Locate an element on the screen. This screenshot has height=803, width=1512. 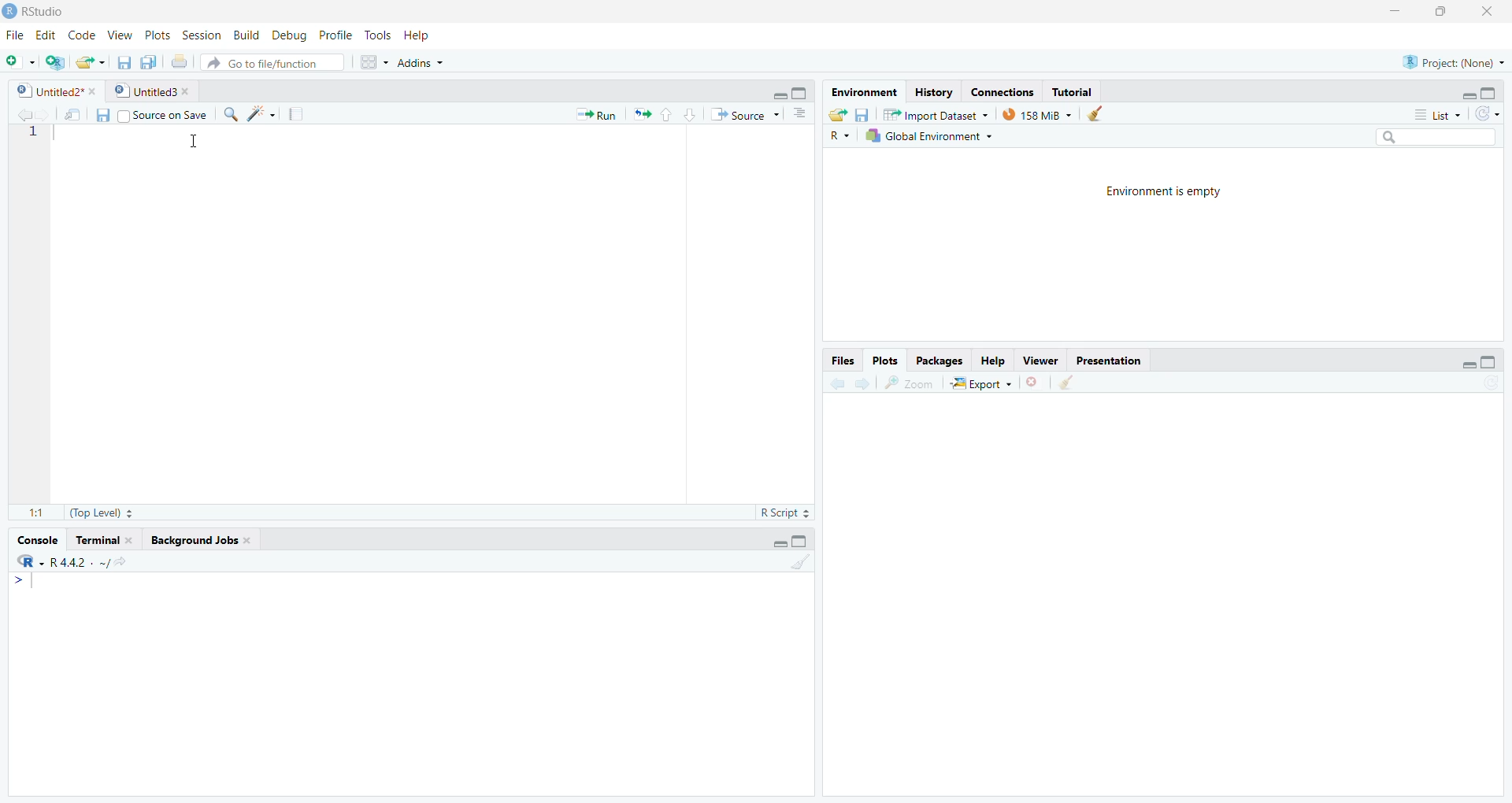
zoom is located at coordinates (914, 380).